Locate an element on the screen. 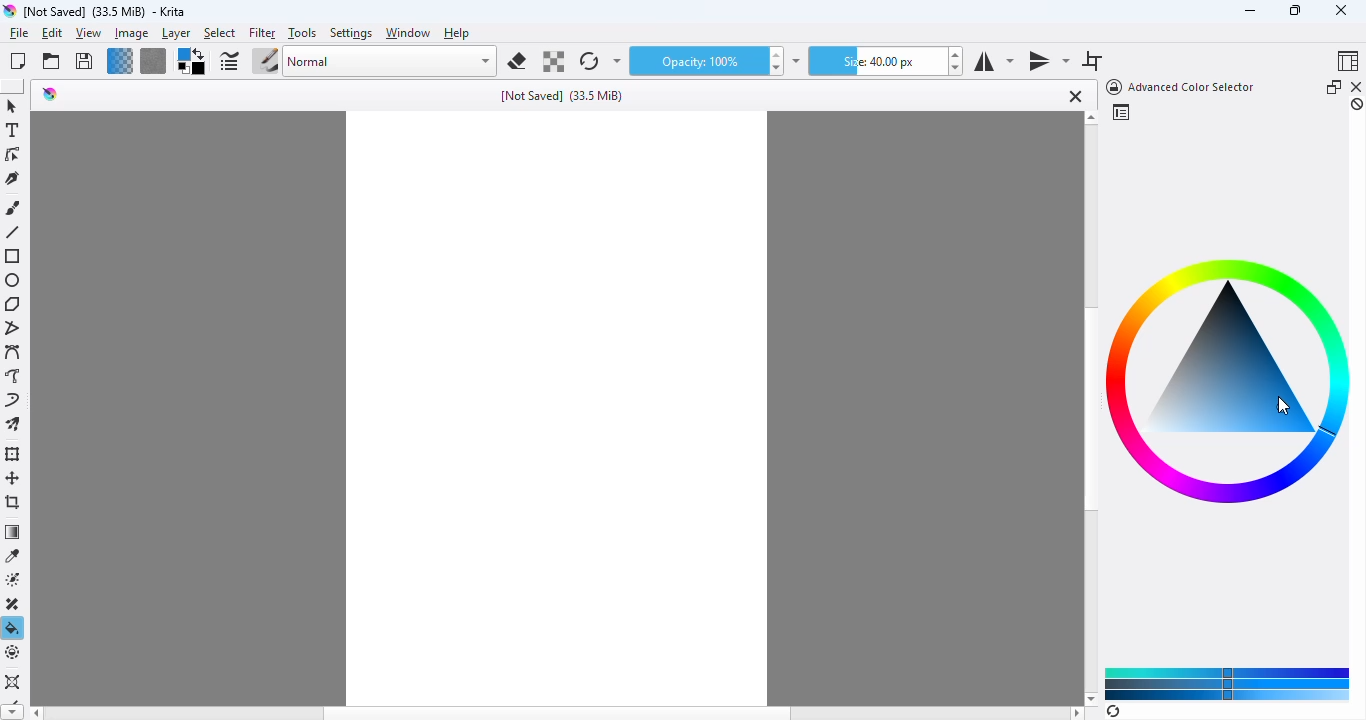 Image resolution: width=1366 pixels, height=720 pixels. draw a gradient is located at coordinates (13, 531).